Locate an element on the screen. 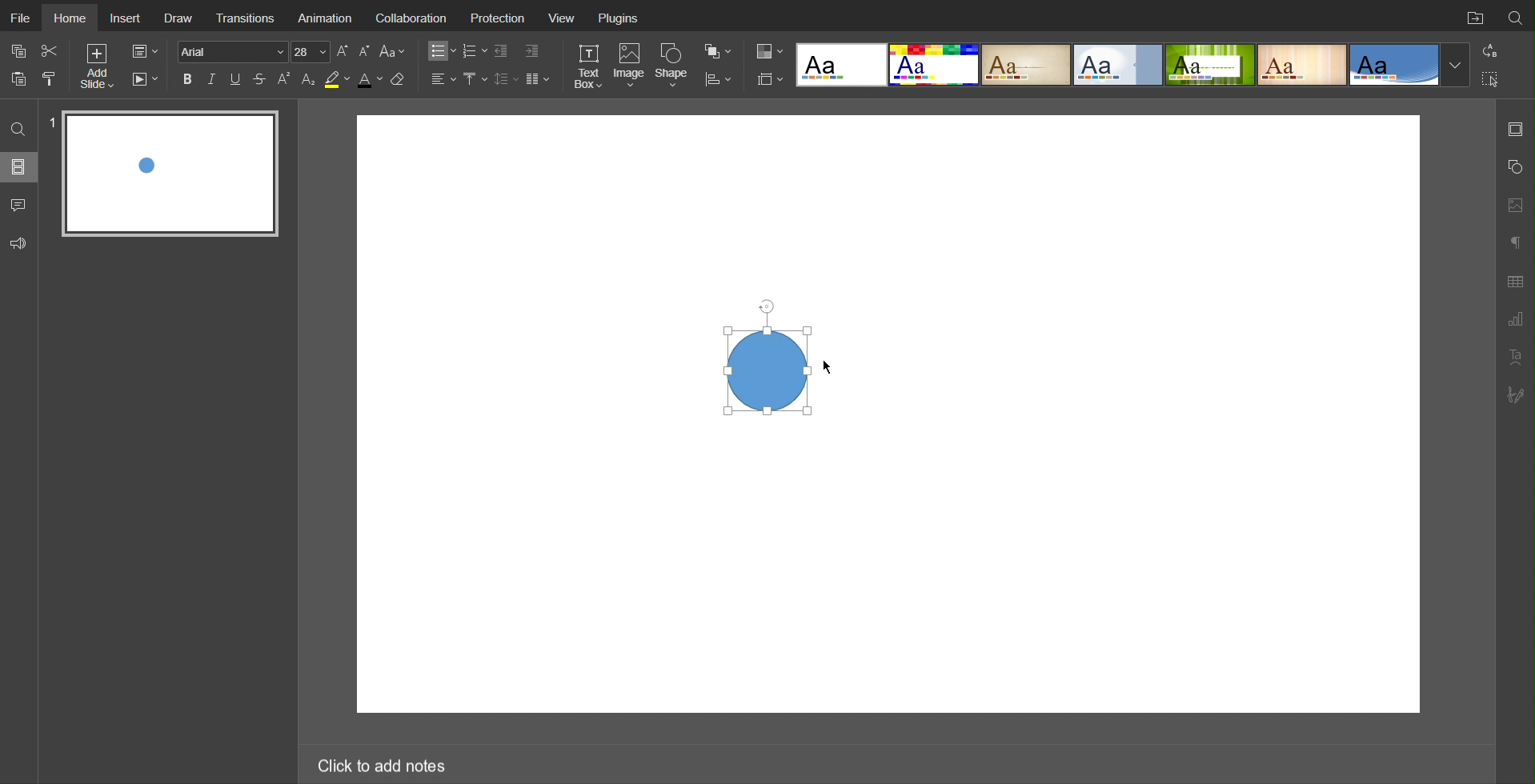  Cut is located at coordinates (51, 50).